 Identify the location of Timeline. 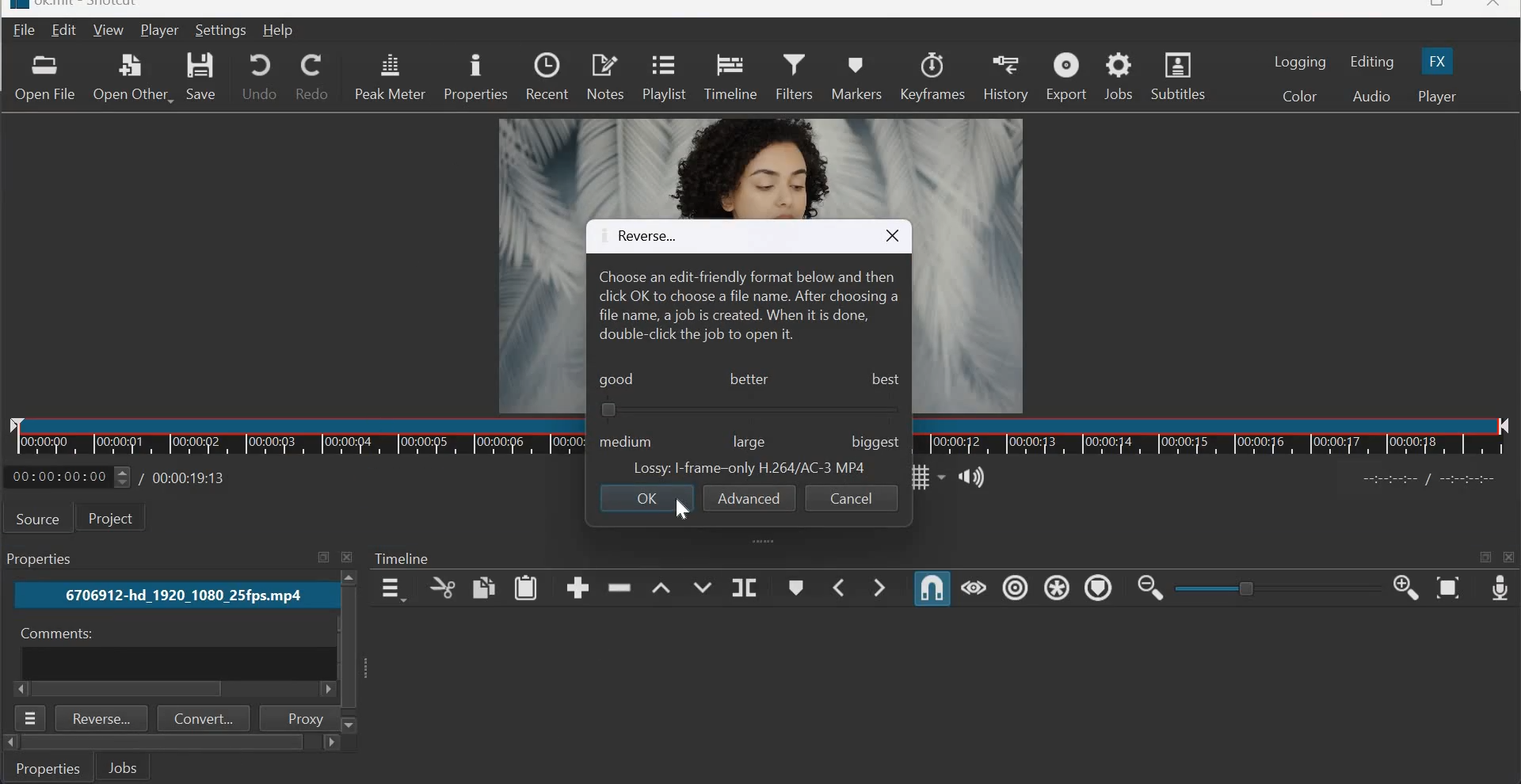
(730, 77).